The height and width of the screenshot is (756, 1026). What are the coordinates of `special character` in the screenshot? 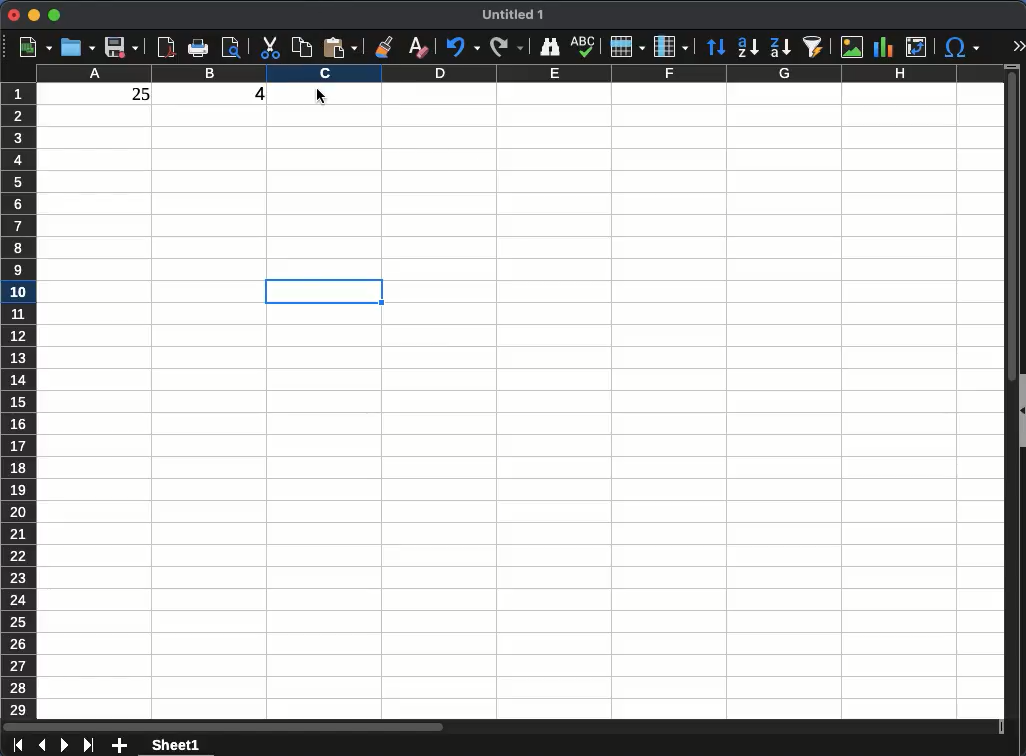 It's located at (964, 48).